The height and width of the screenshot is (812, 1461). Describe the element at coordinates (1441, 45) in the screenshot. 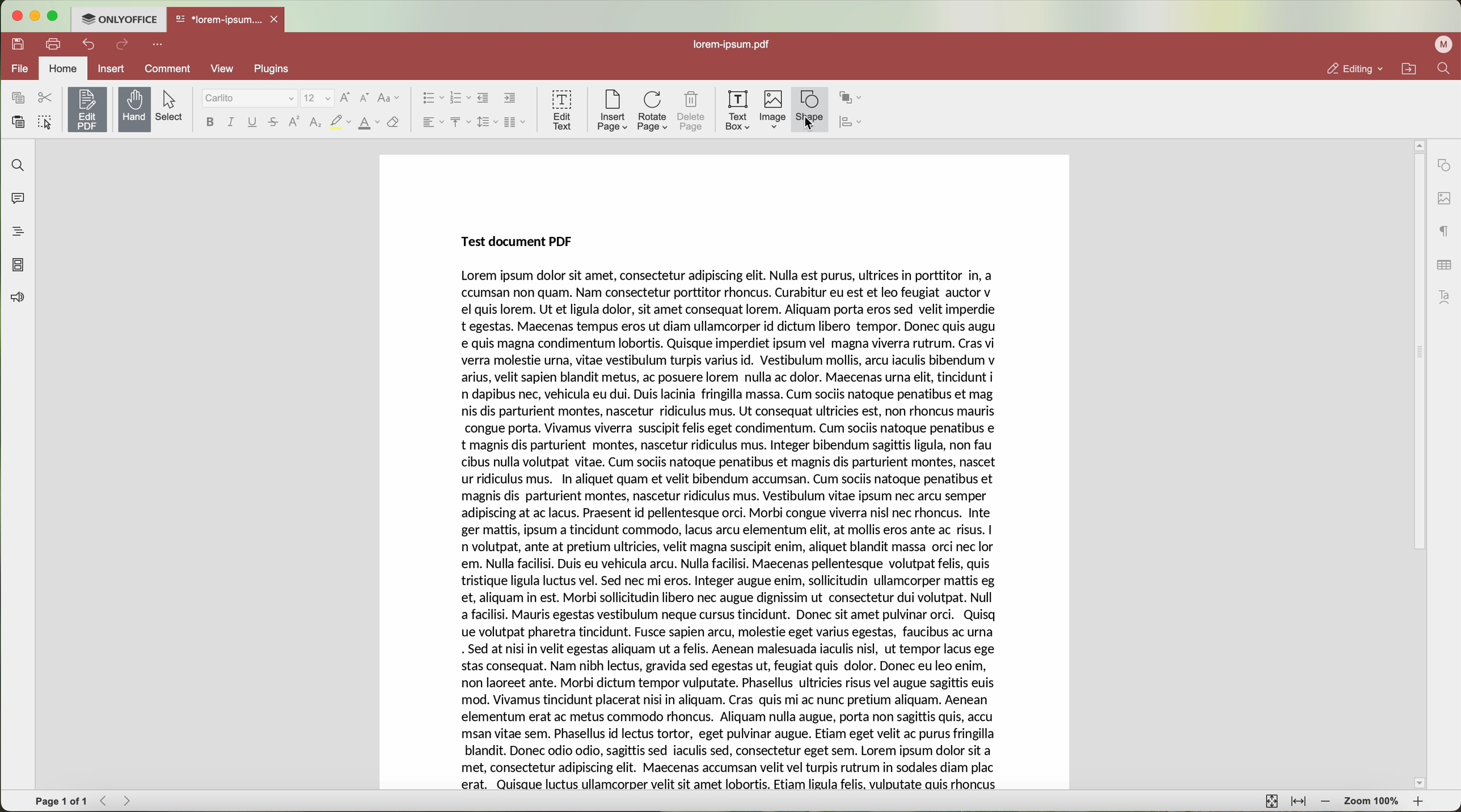

I see `profile` at that location.